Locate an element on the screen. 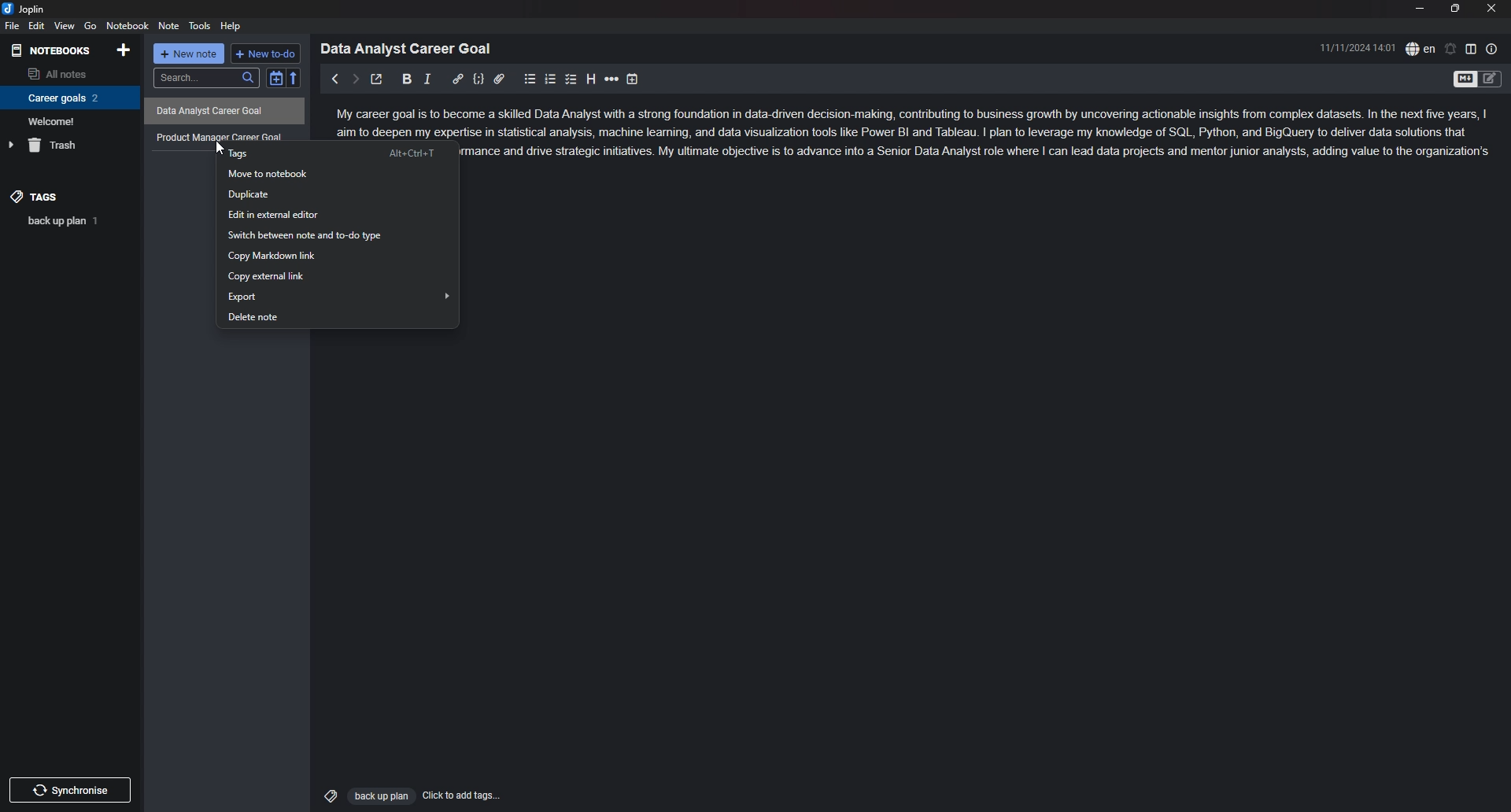 This screenshot has width=1511, height=812. add notebook is located at coordinates (125, 50).